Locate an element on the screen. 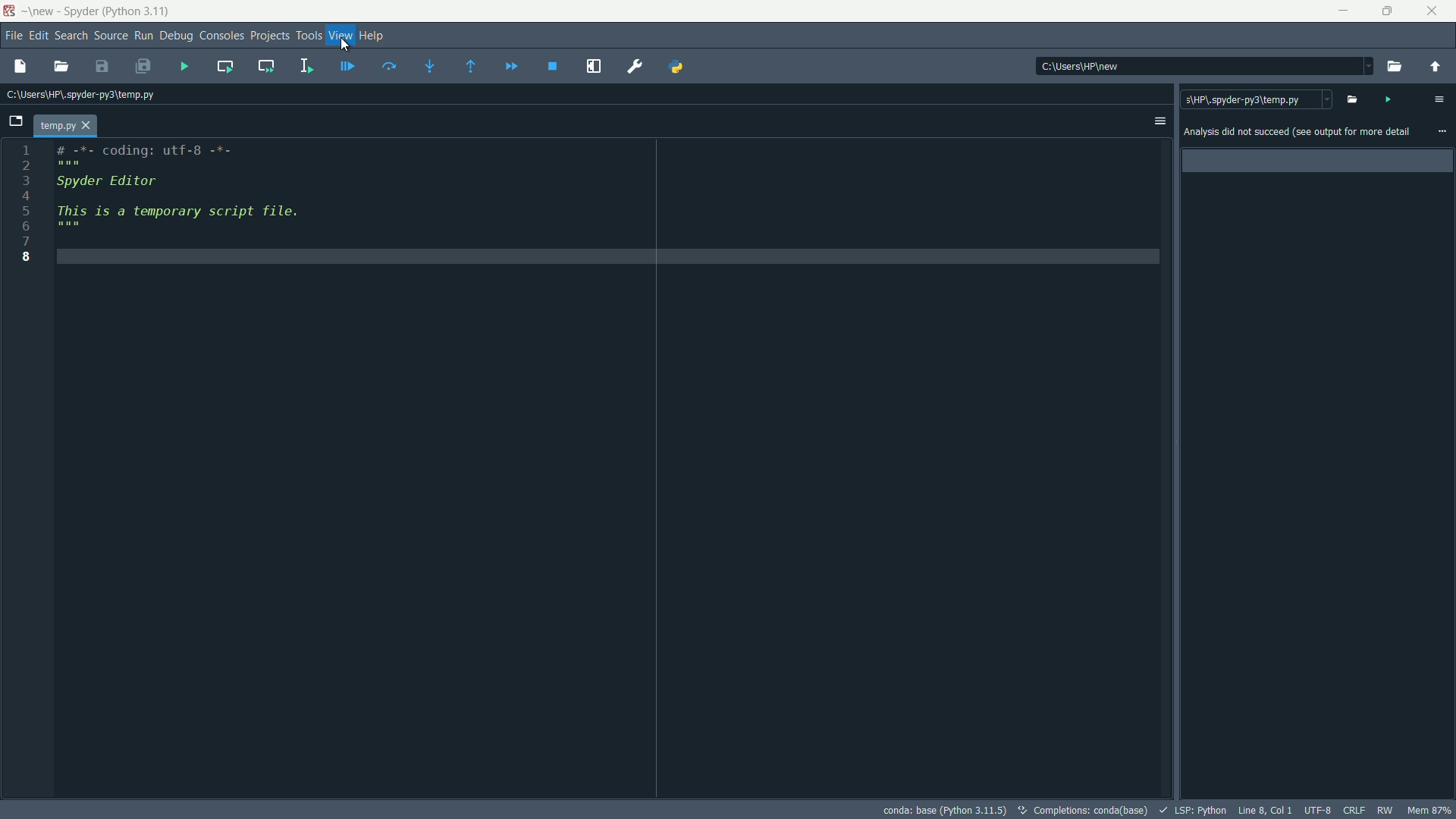 This screenshot has height=819, width=1456. run file is located at coordinates (1392, 99).